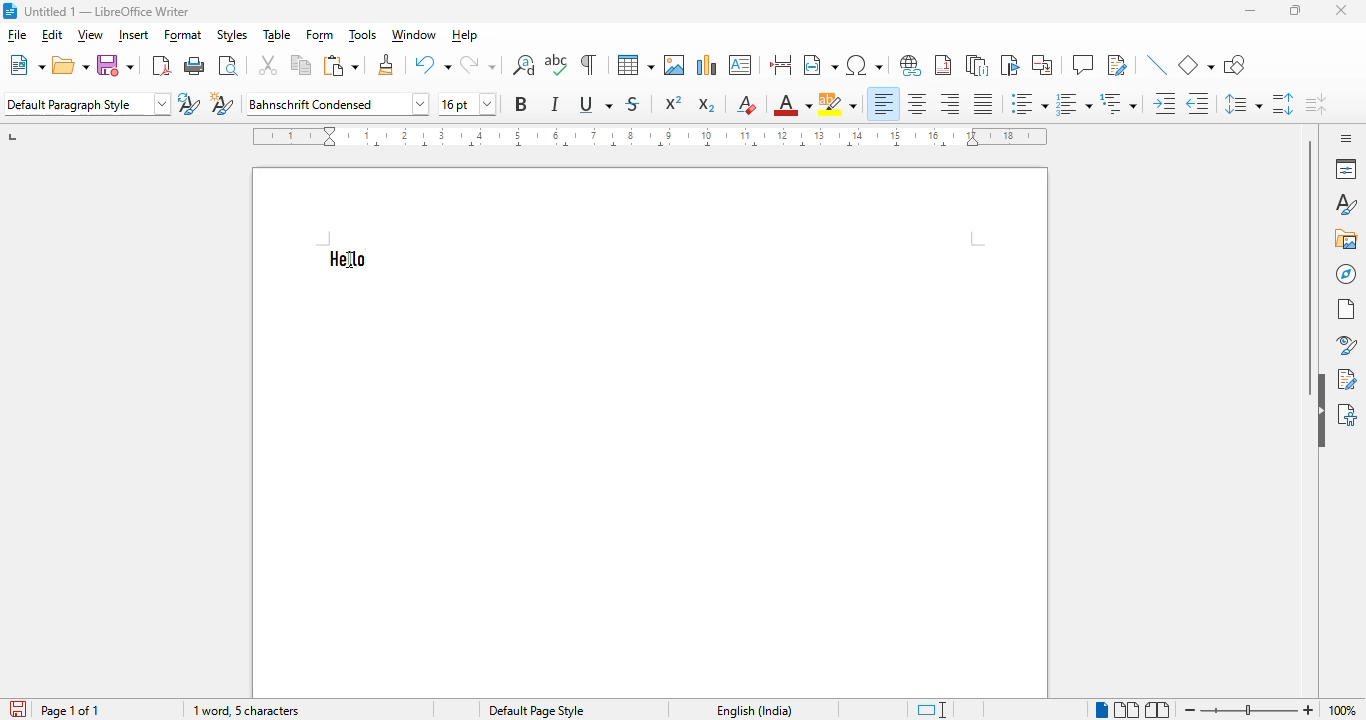 The height and width of the screenshot is (720, 1366). Describe the element at coordinates (190, 104) in the screenshot. I see `update selected style` at that location.